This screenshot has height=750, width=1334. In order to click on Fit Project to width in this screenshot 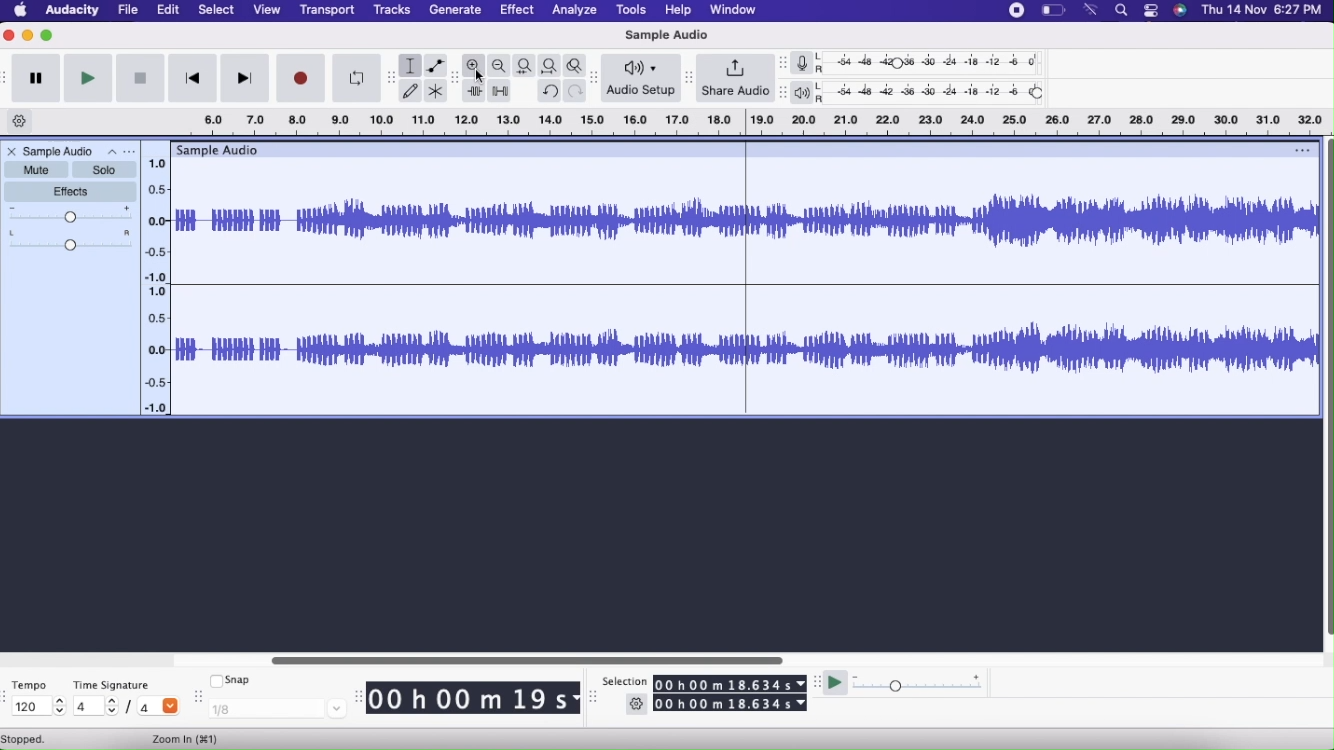, I will do `click(549, 66)`.